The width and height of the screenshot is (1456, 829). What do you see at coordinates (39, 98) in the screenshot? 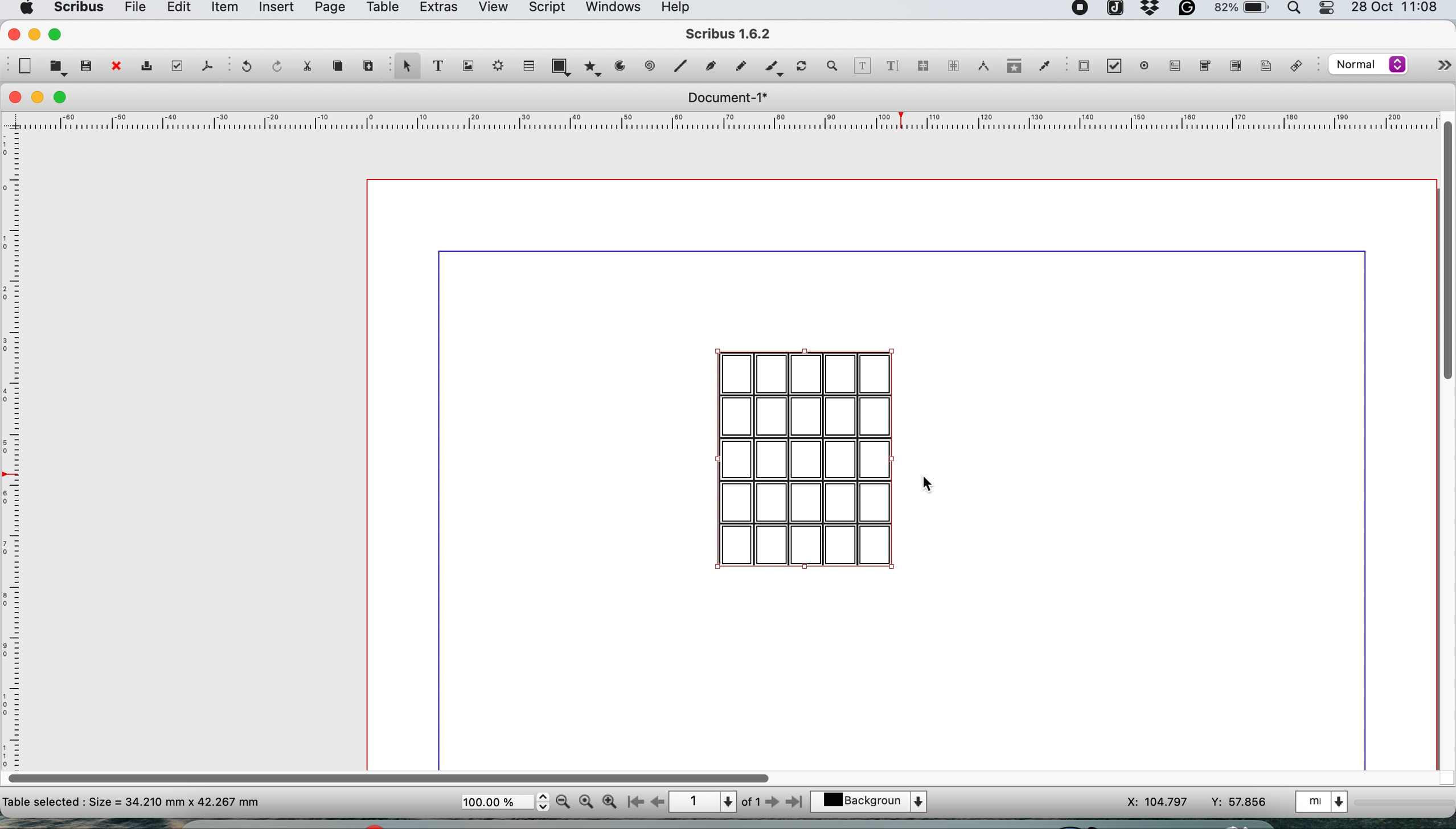
I see `minimise` at bounding box center [39, 98].